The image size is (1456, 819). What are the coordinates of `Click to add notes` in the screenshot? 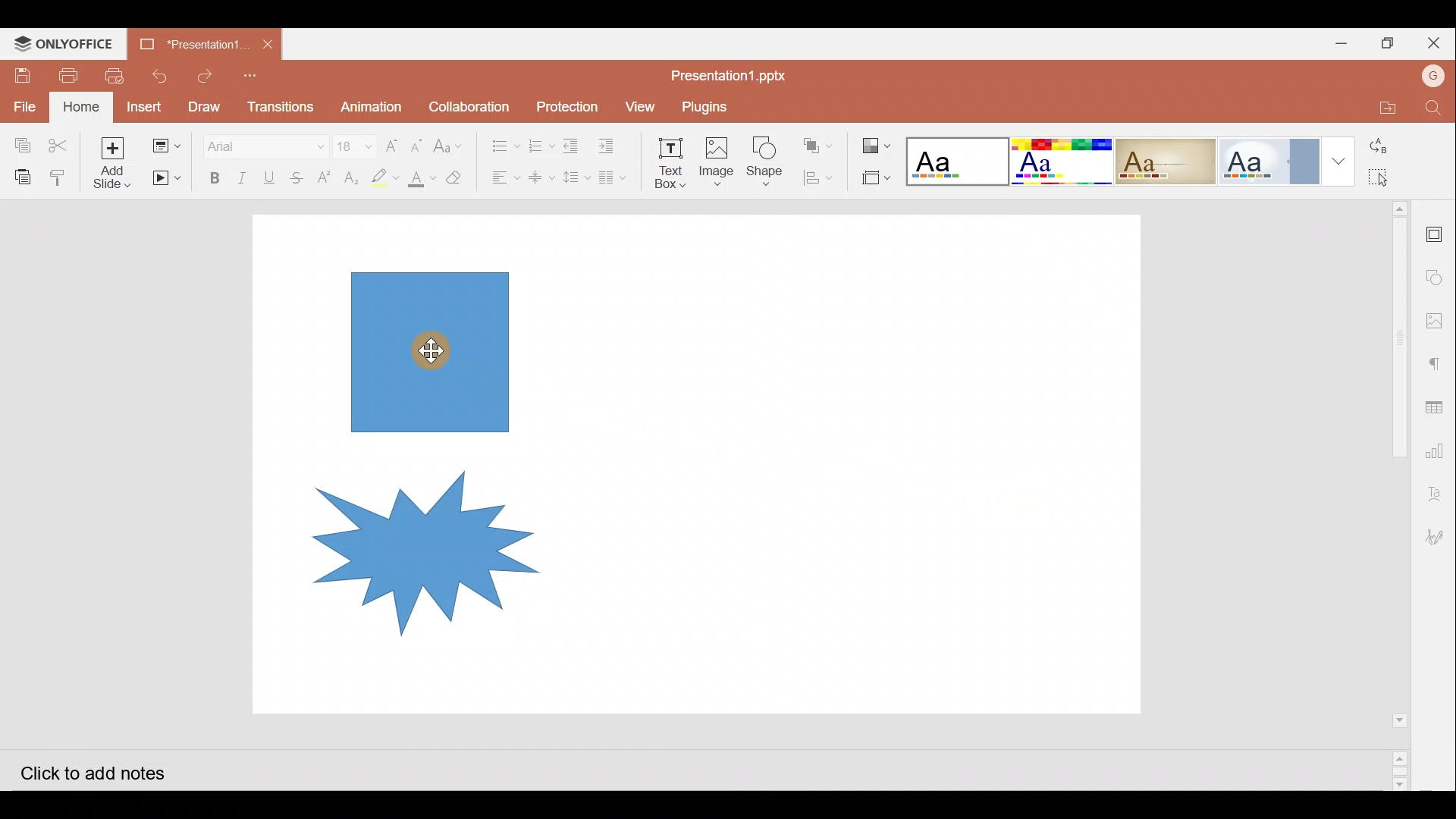 It's located at (105, 772).